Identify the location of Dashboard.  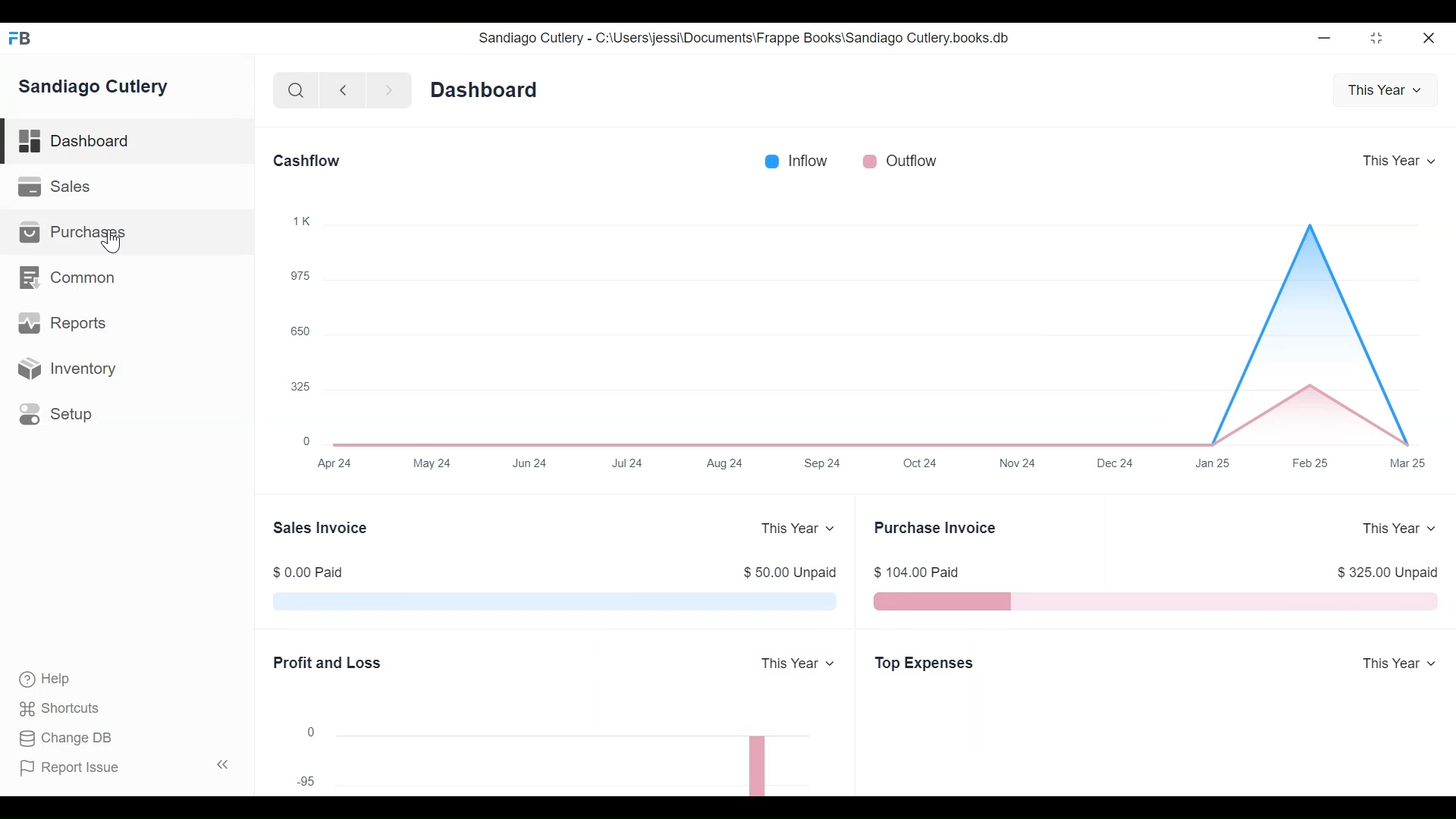
(83, 140).